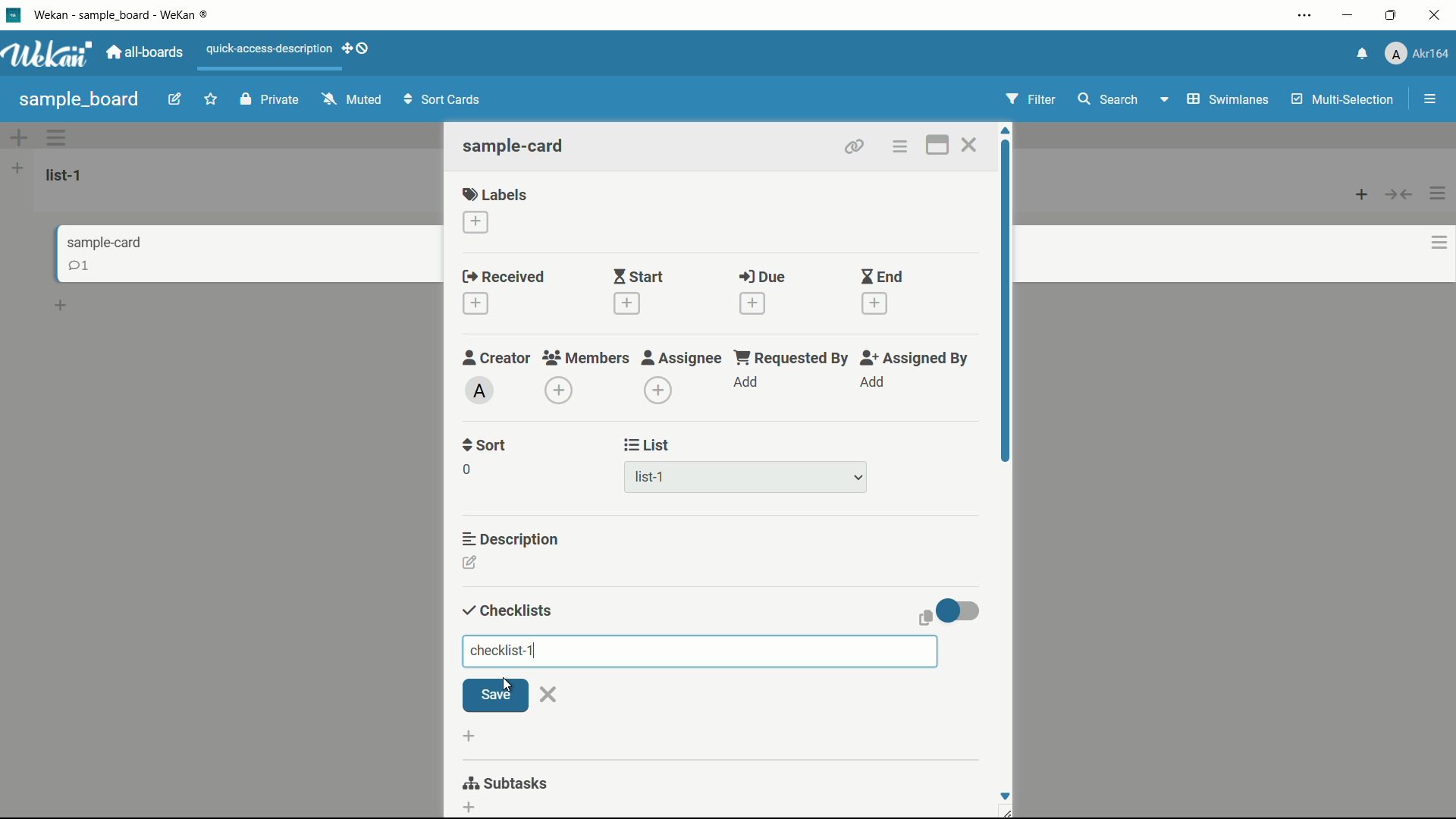 The image size is (1456, 819). I want to click on requested by, so click(792, 358).